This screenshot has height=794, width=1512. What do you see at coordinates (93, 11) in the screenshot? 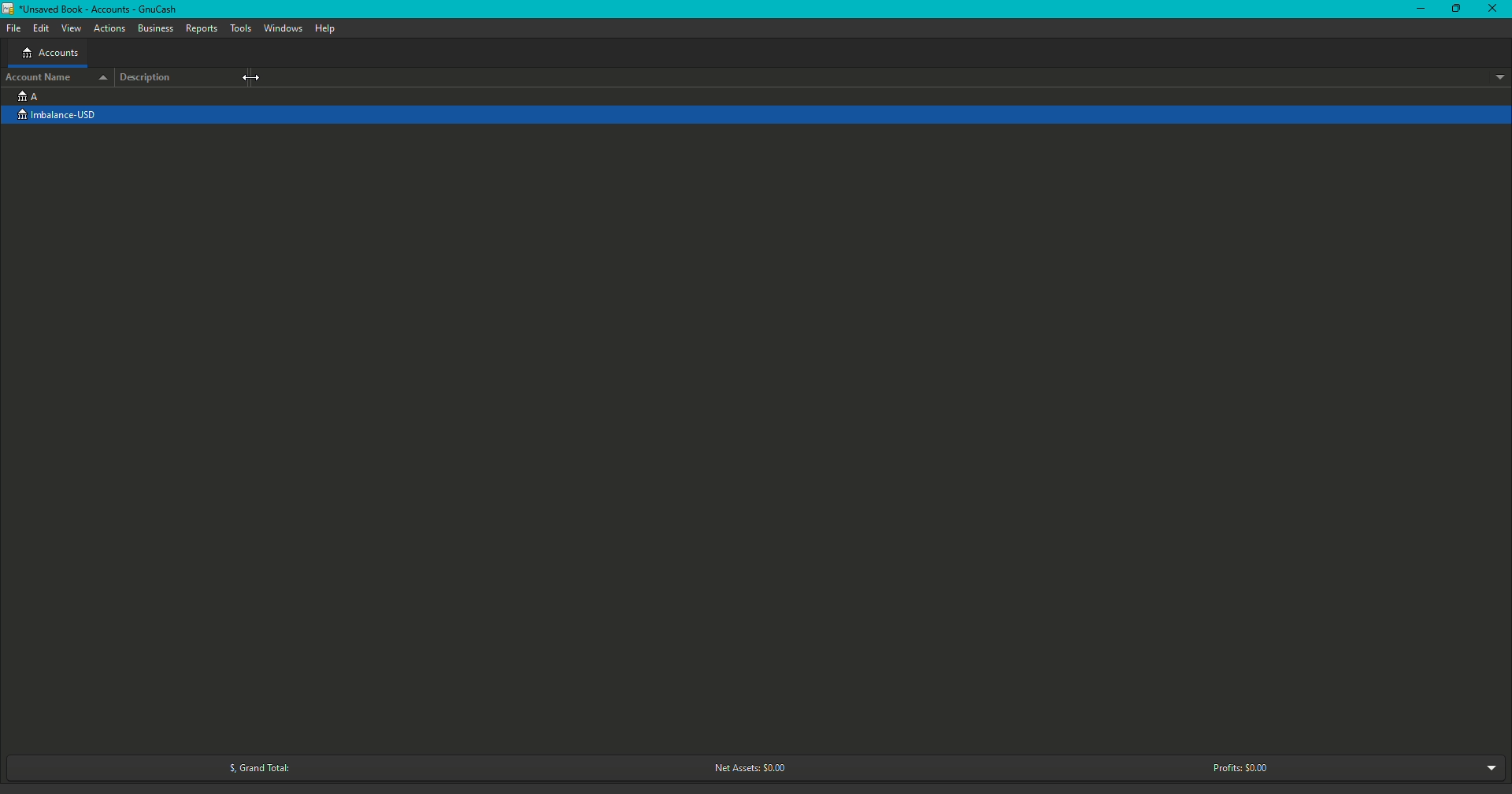
I see `GnuCash` at bounding box center [93, 11].